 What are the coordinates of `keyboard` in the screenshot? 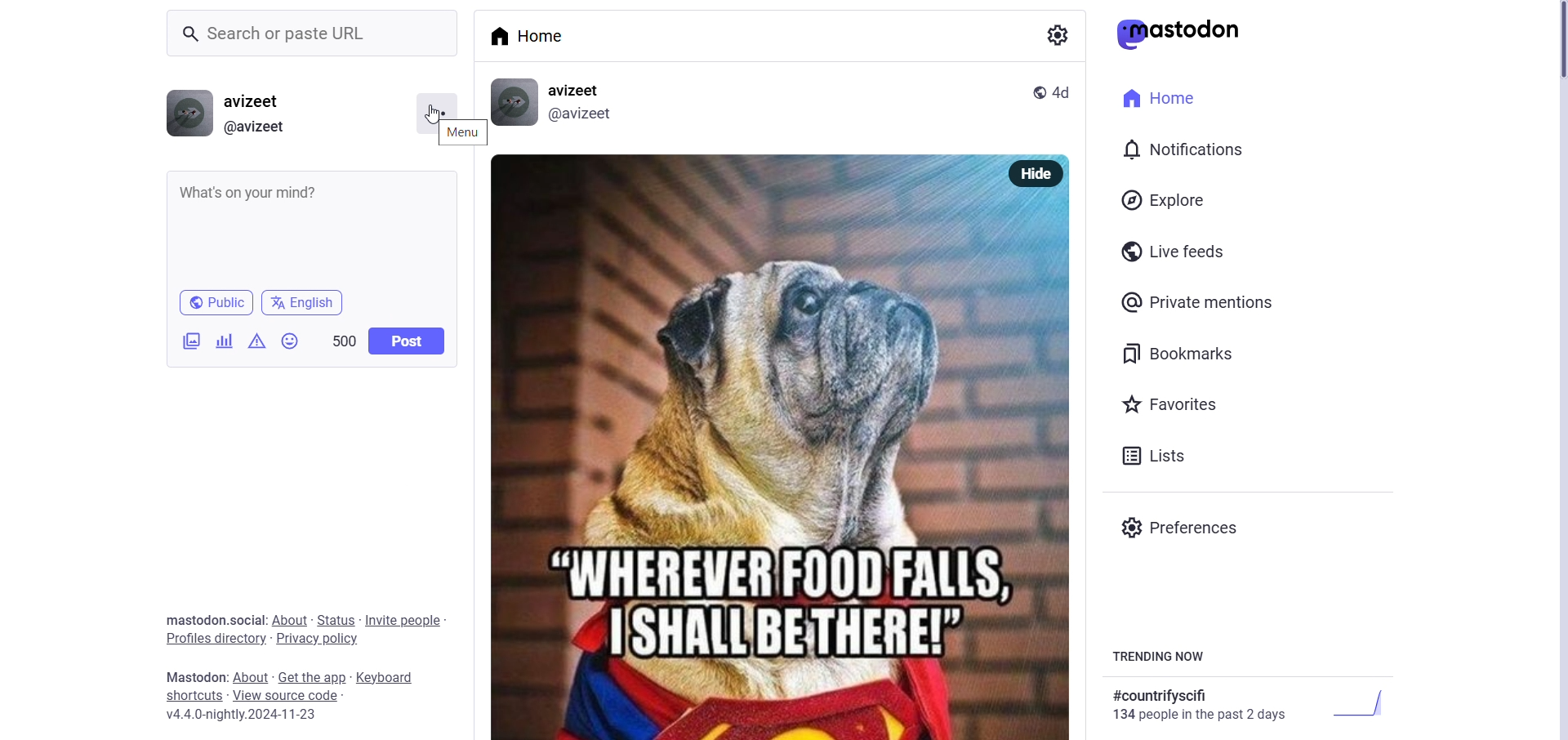 It's located at (386, 677).